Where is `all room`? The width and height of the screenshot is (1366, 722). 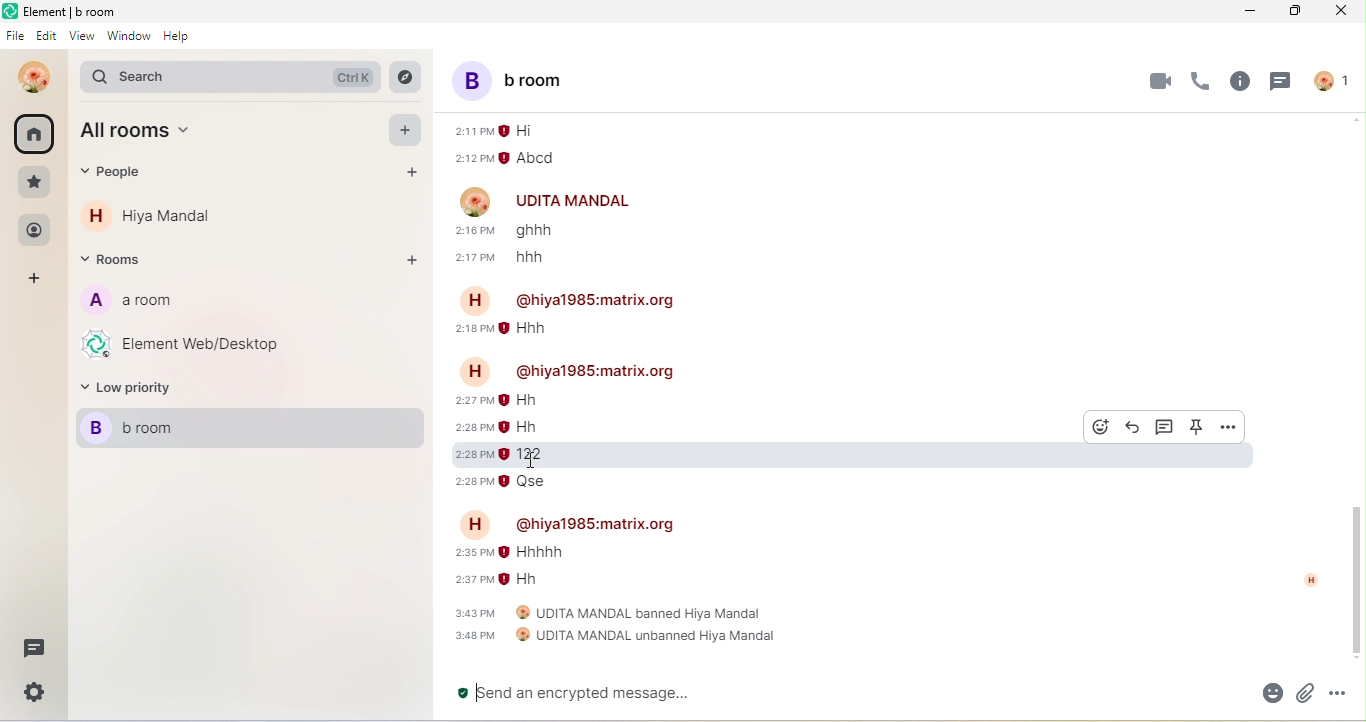 all room is located at coordinates (35, 134).